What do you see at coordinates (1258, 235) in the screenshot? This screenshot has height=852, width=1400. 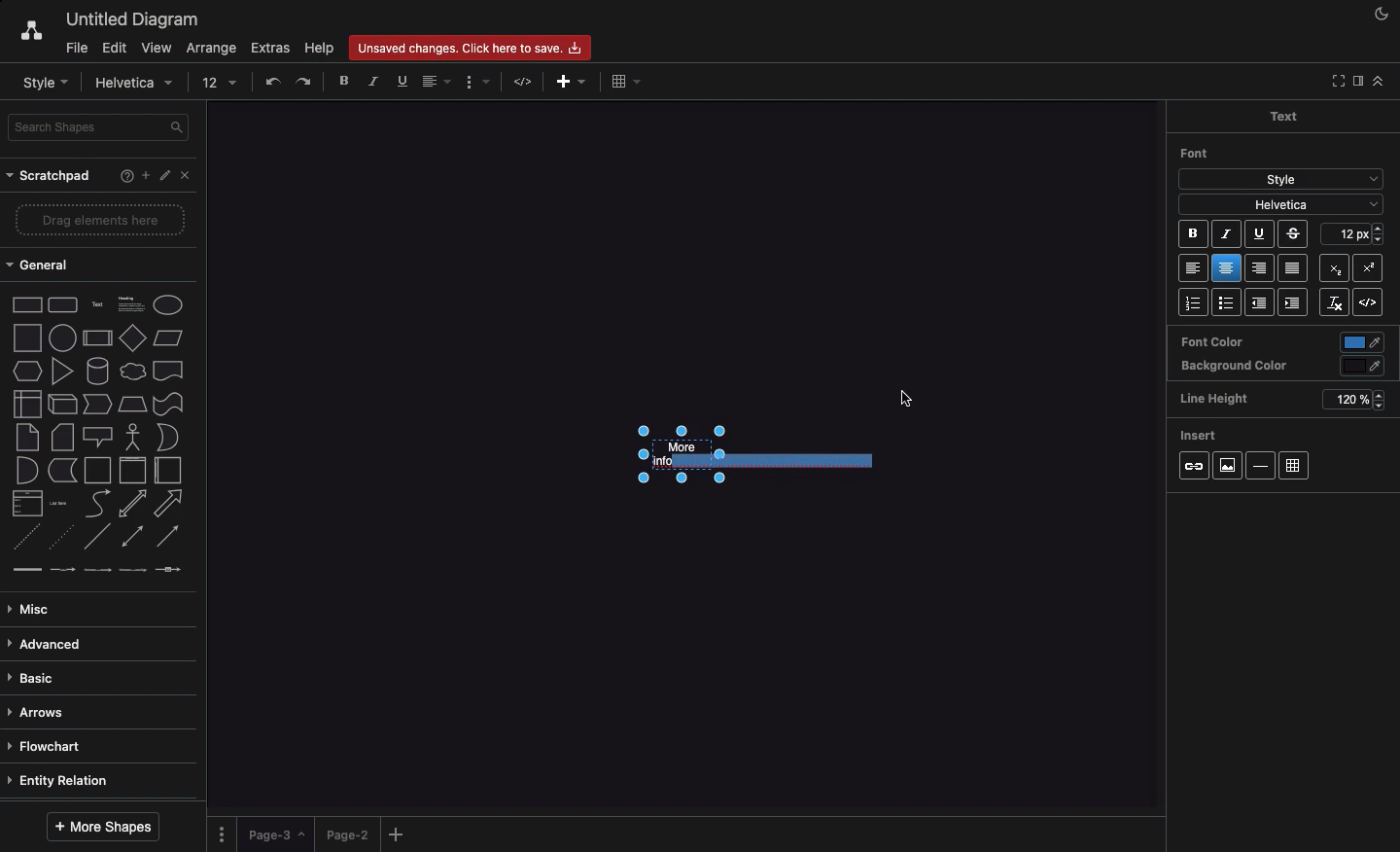 I see `Underline` at bounding box center [1258, 235].